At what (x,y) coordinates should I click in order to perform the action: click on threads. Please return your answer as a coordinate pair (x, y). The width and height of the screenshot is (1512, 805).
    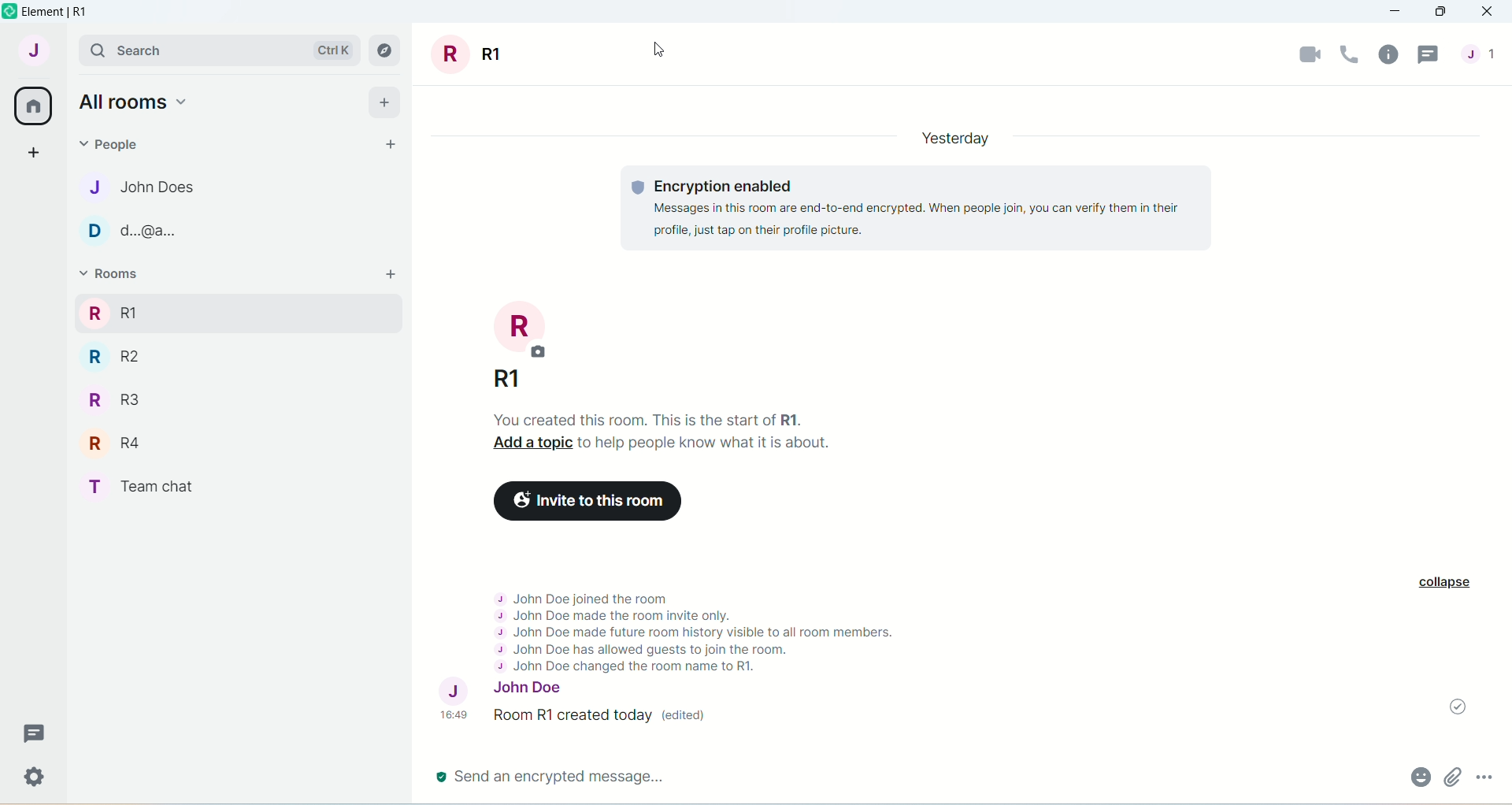
    Looking at the image, I should click on (1429, 56).